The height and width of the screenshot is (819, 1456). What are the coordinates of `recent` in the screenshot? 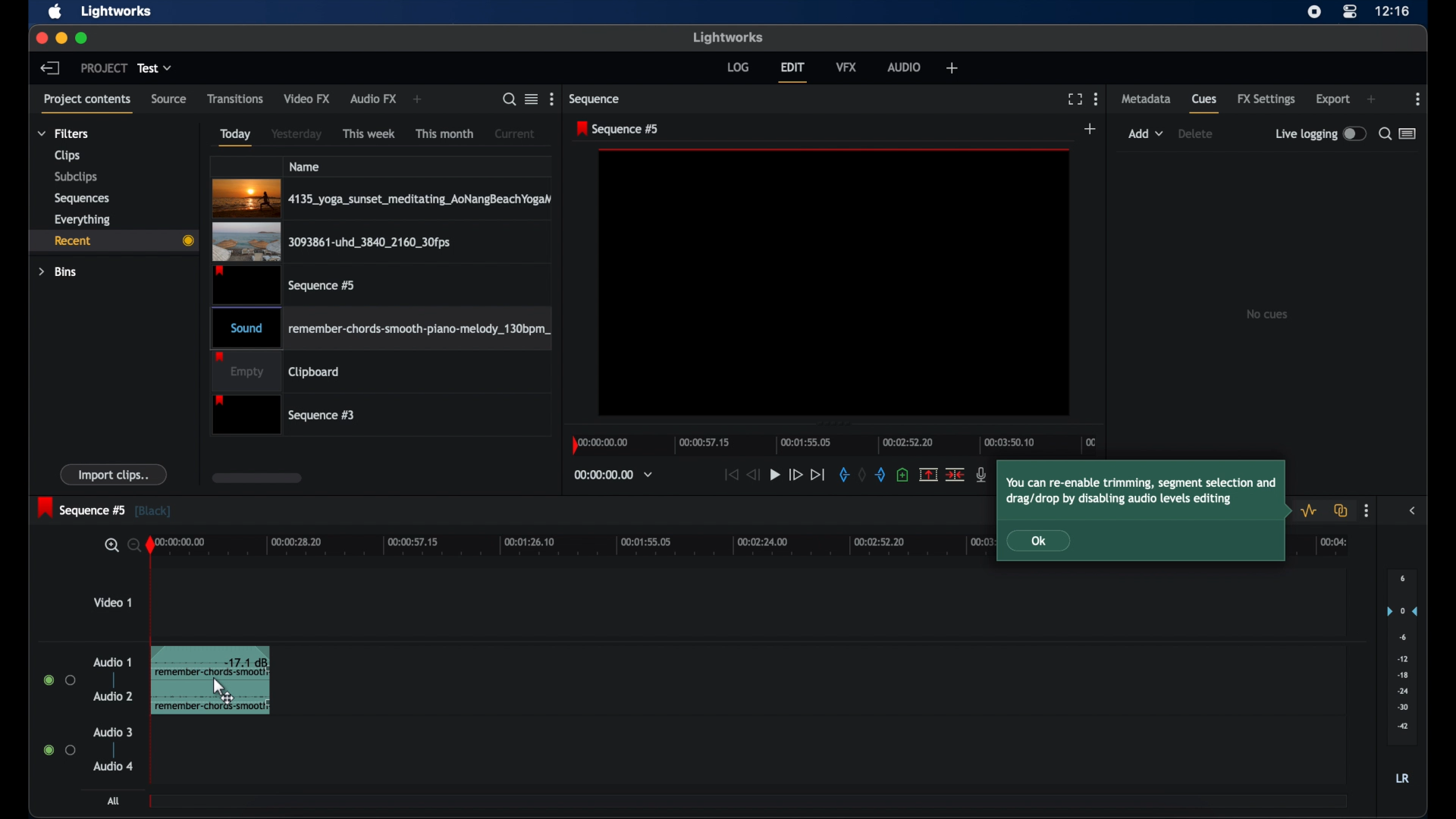 It's located at (115, 240).